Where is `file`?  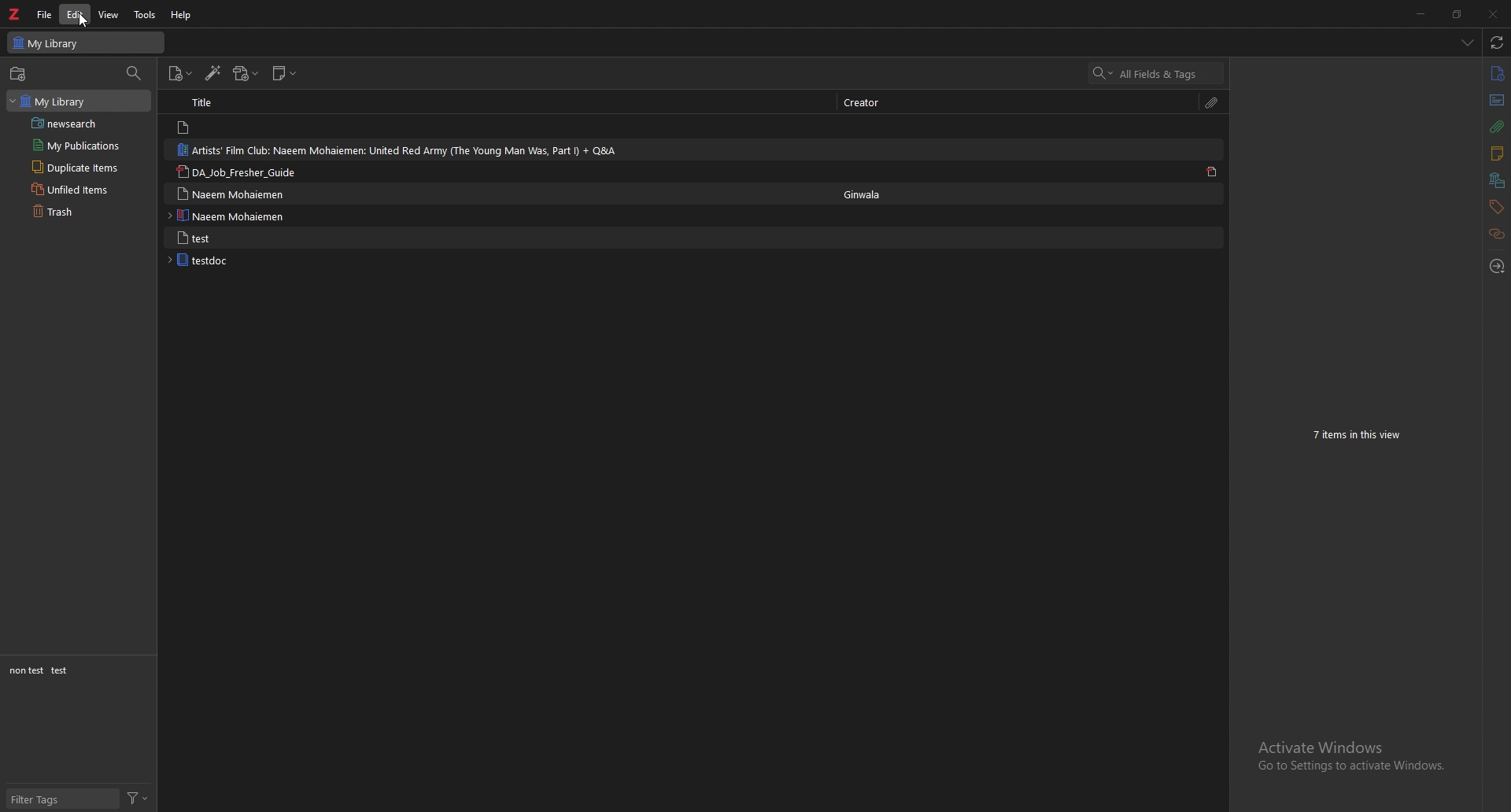 file is located at coordinates (45, 15).